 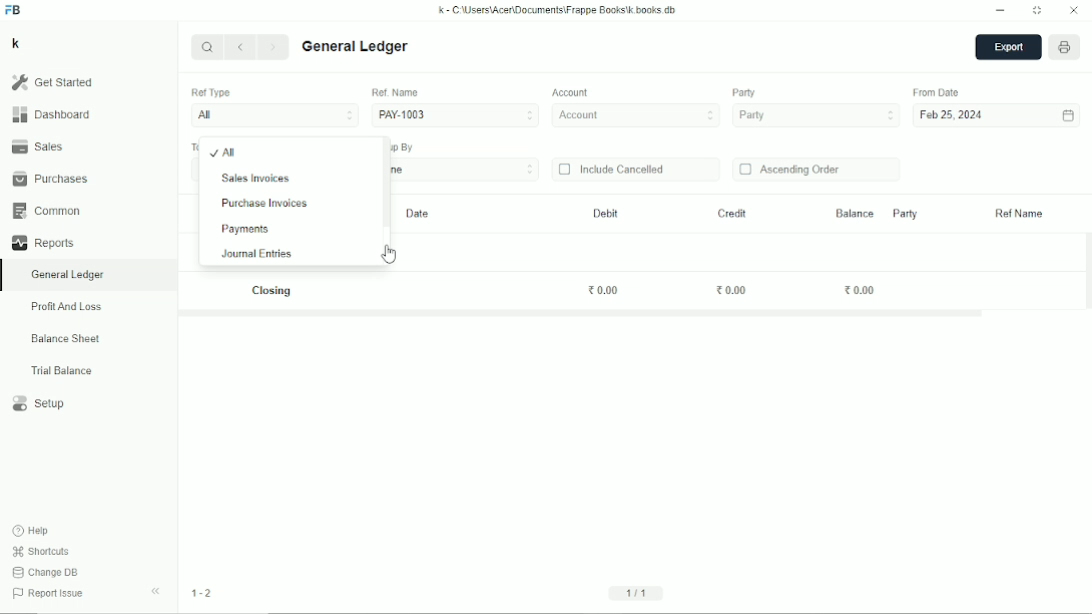 I want to click on All, so click(x=223, y=153).